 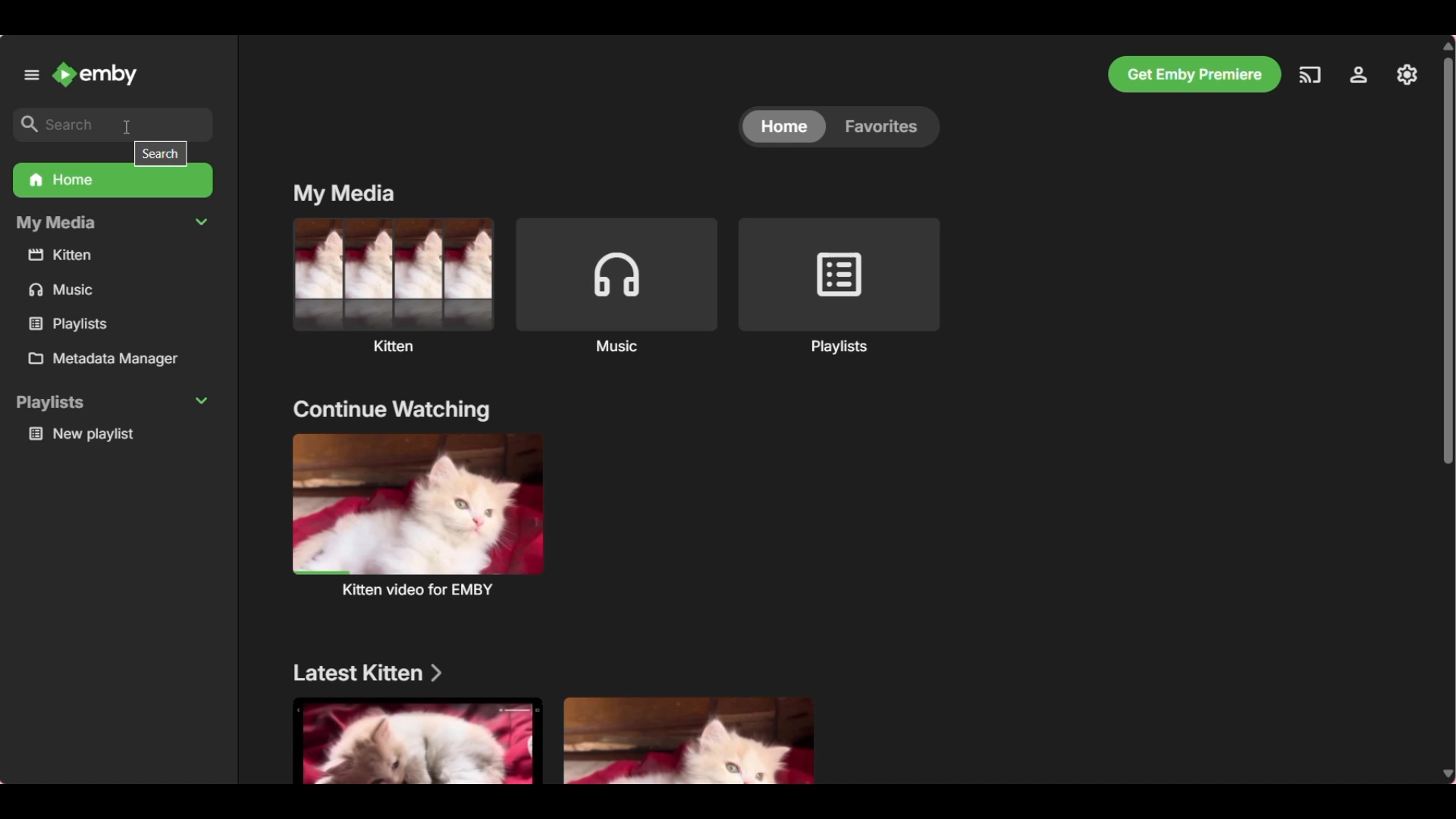 I want to click on search, so click(x=162, y=156).